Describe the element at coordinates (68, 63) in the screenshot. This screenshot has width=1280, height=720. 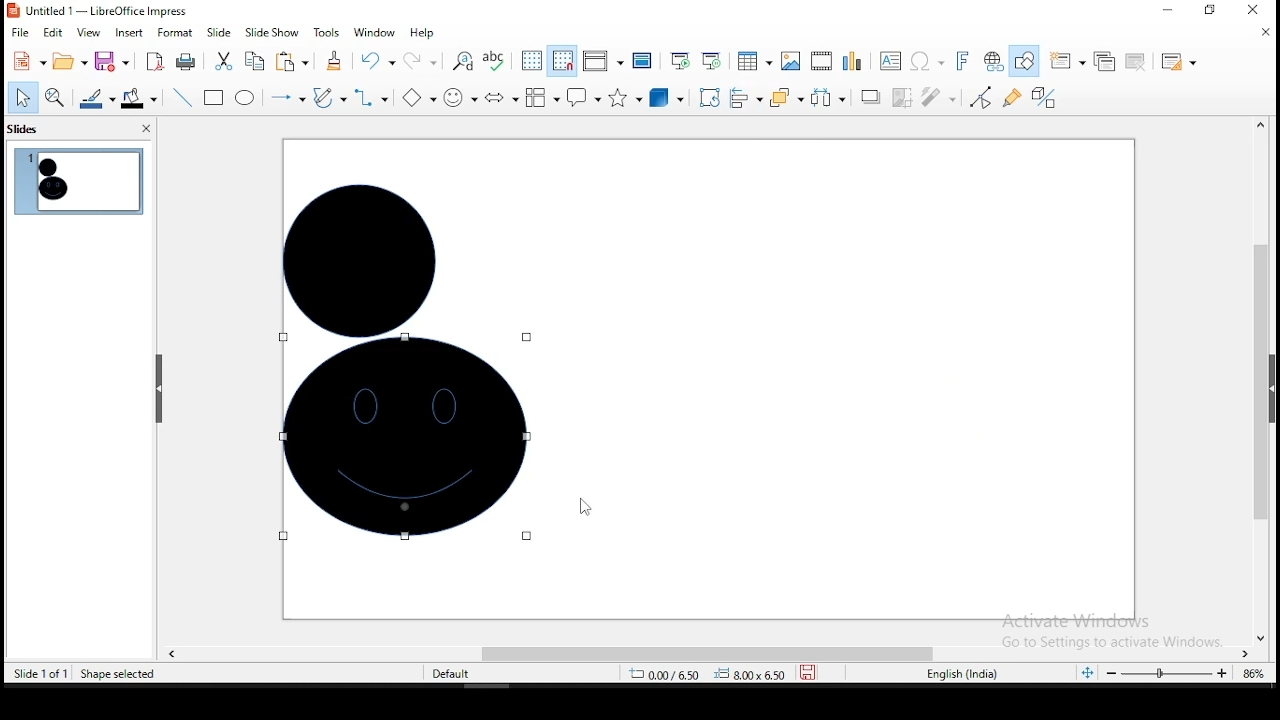
I see `open` at that location.